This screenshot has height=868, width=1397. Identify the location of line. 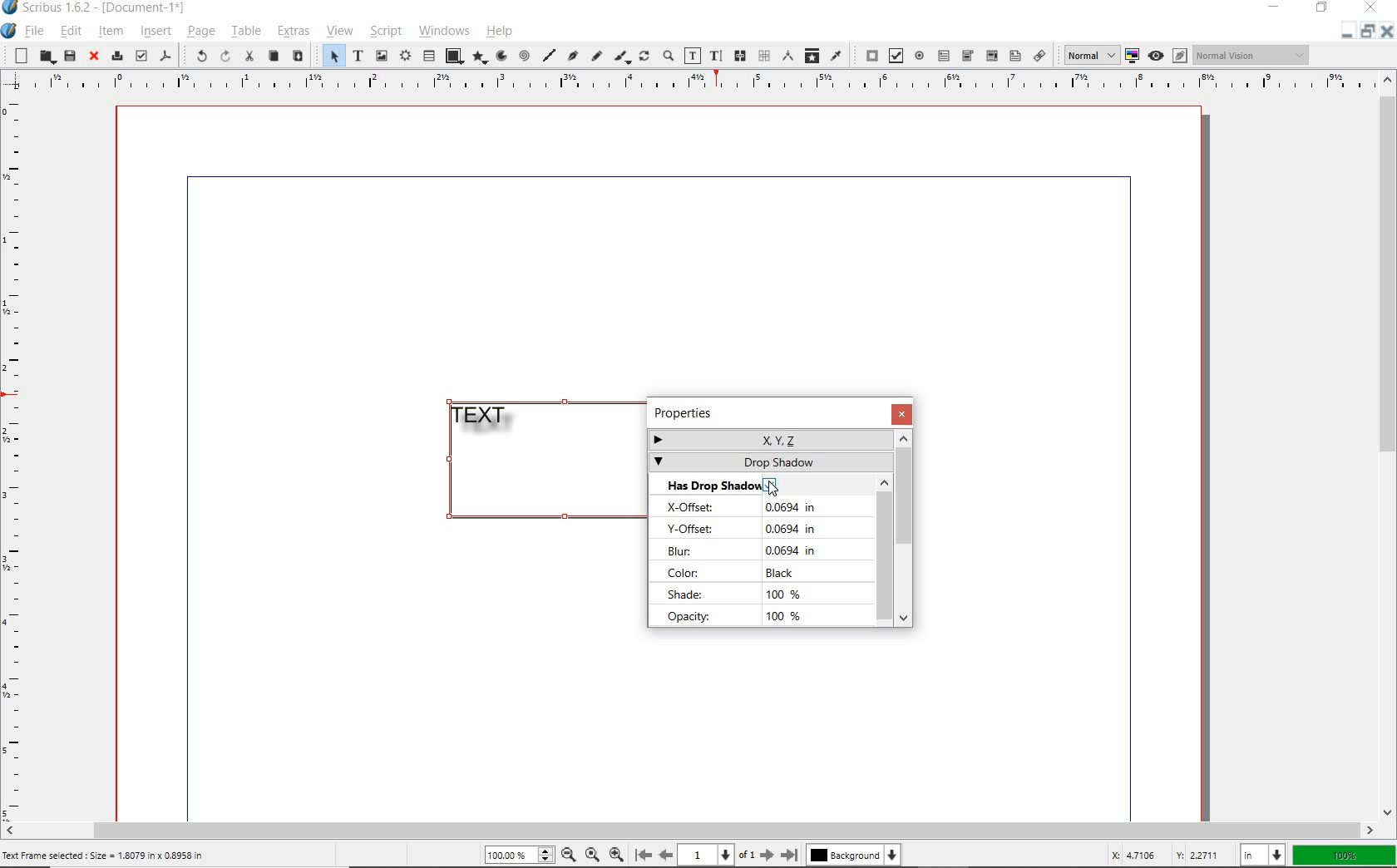
(549, 54).